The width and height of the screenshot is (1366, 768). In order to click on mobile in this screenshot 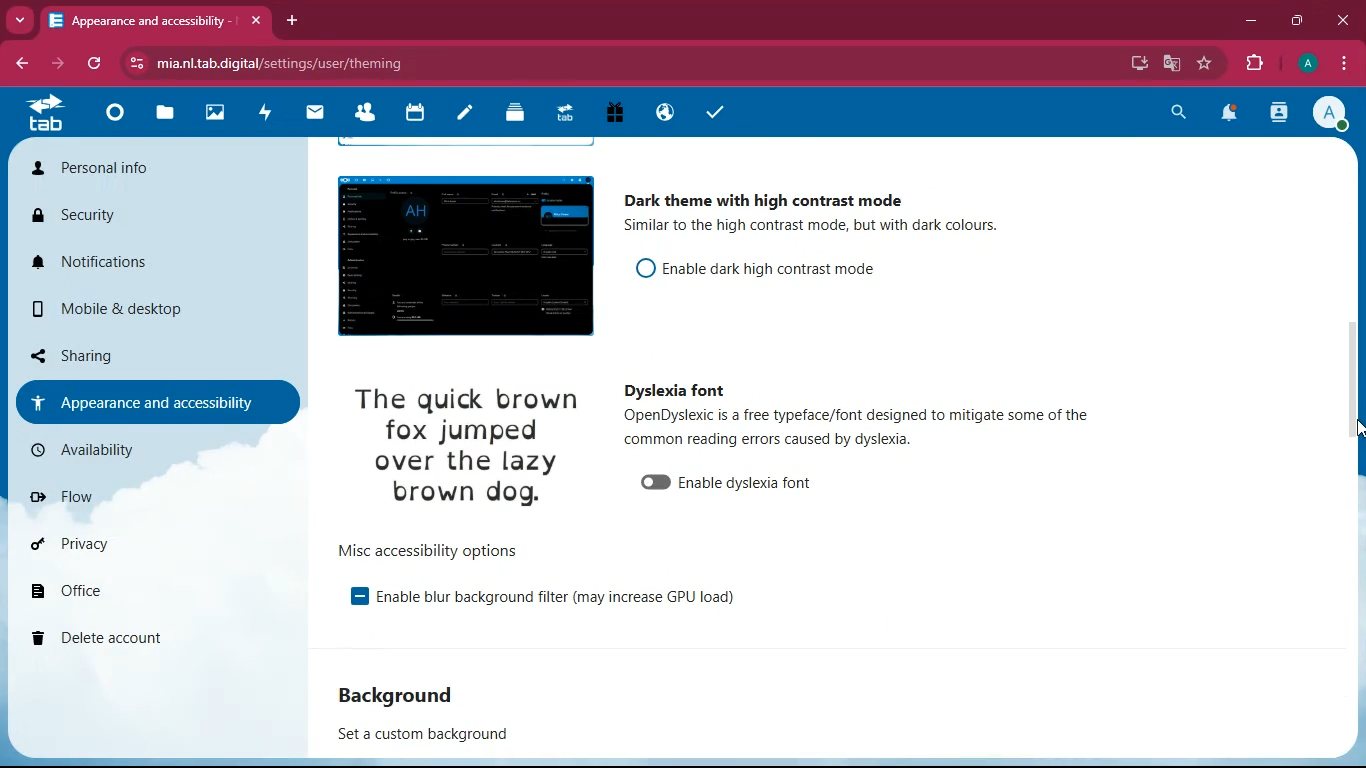, I will do `click(137, 308)`.